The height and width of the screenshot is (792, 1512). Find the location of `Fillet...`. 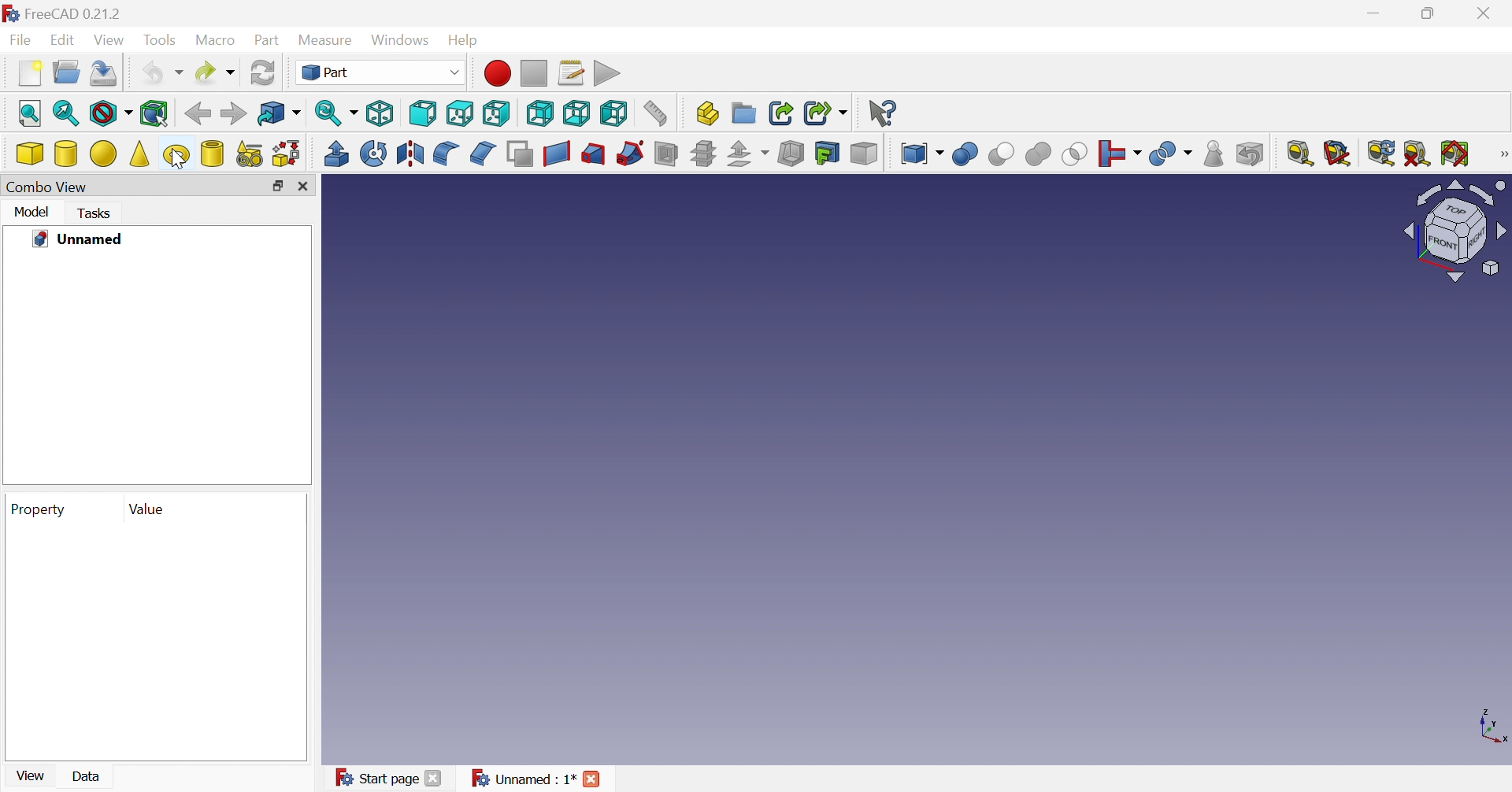

Fillet... is located at coordinates (444, 154).